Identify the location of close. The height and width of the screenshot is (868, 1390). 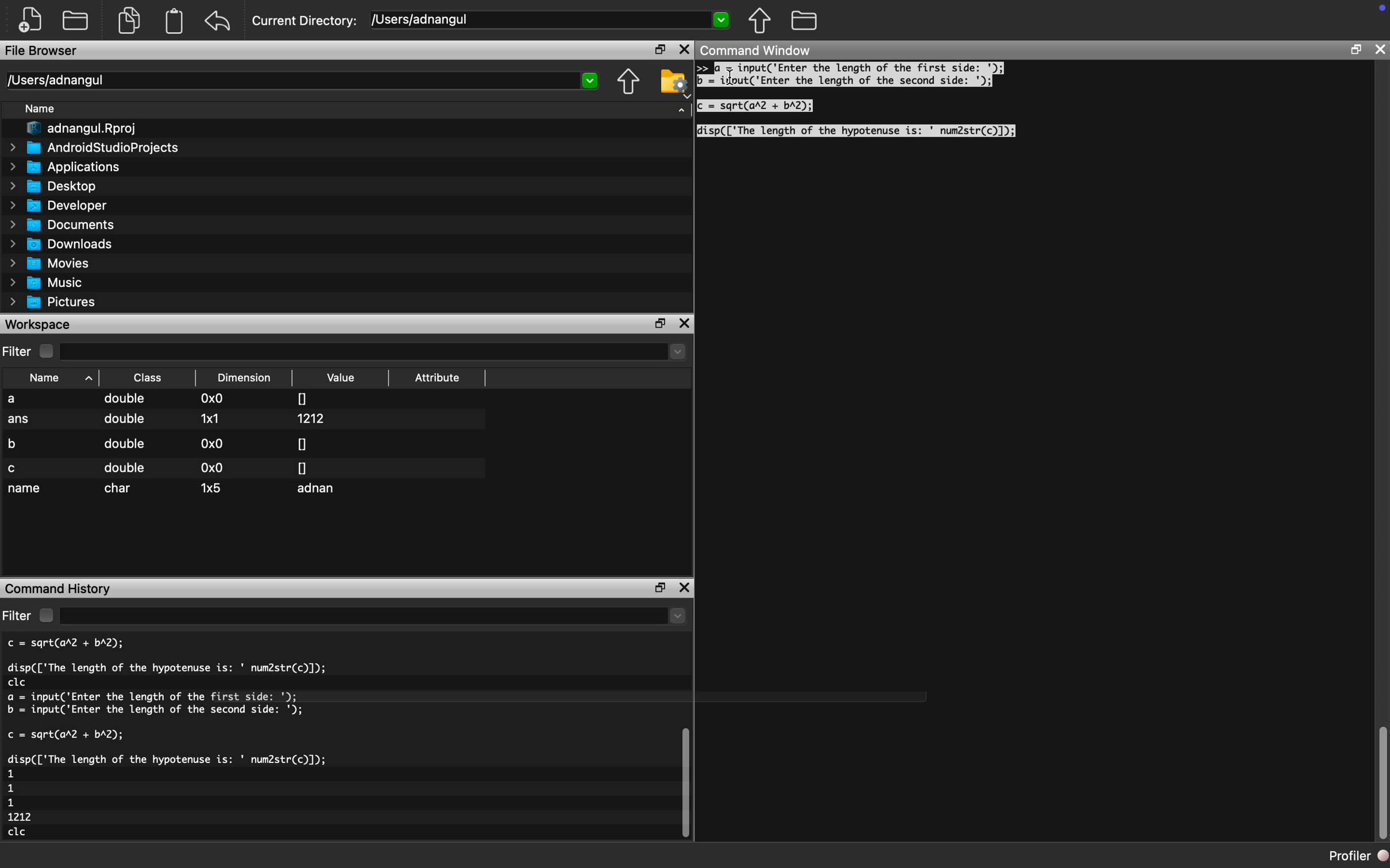
(684, 50).